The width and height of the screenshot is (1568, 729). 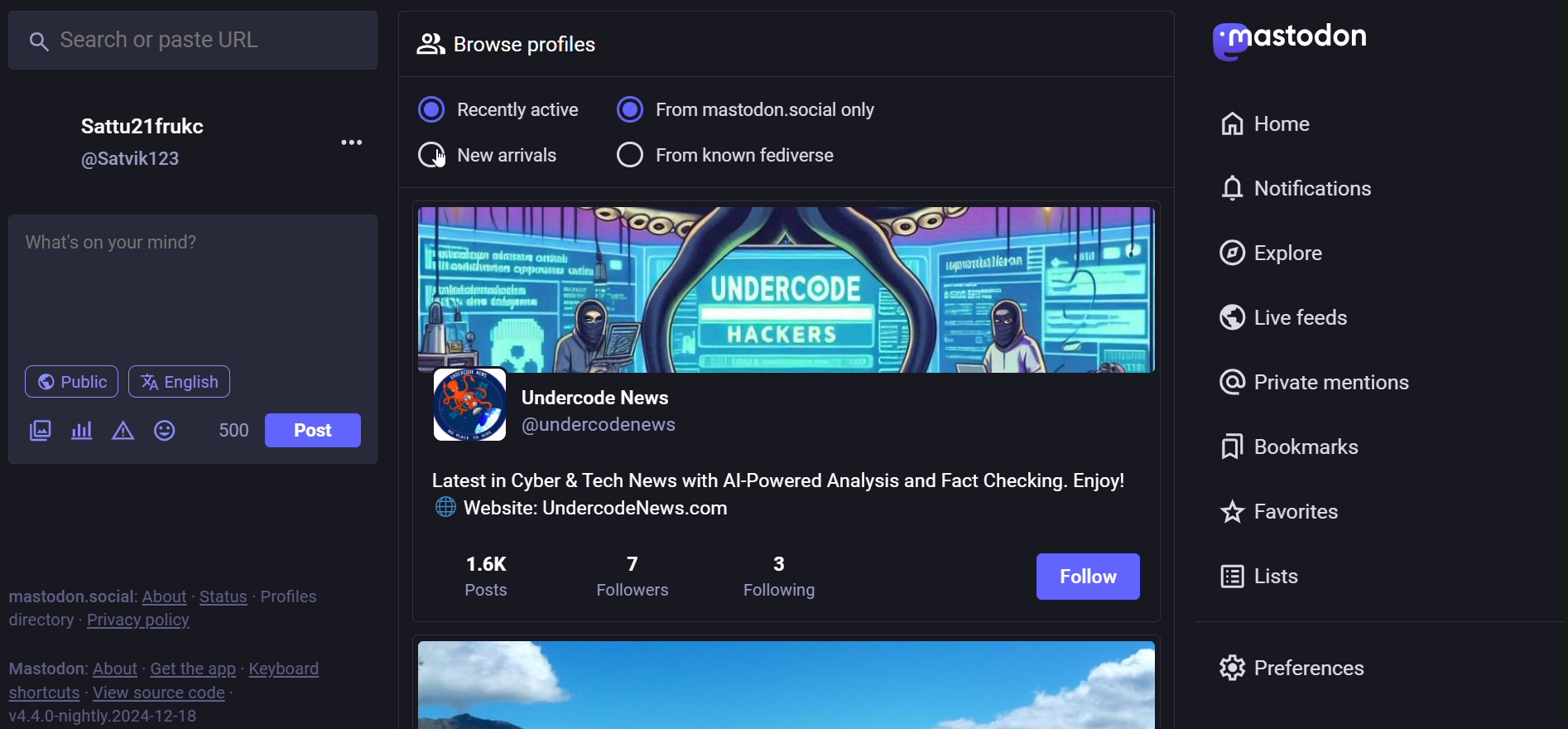 What do you see at coordinates (489, 157) in the screenshot?
I see `new arrival` at bounding box center [489, 157].